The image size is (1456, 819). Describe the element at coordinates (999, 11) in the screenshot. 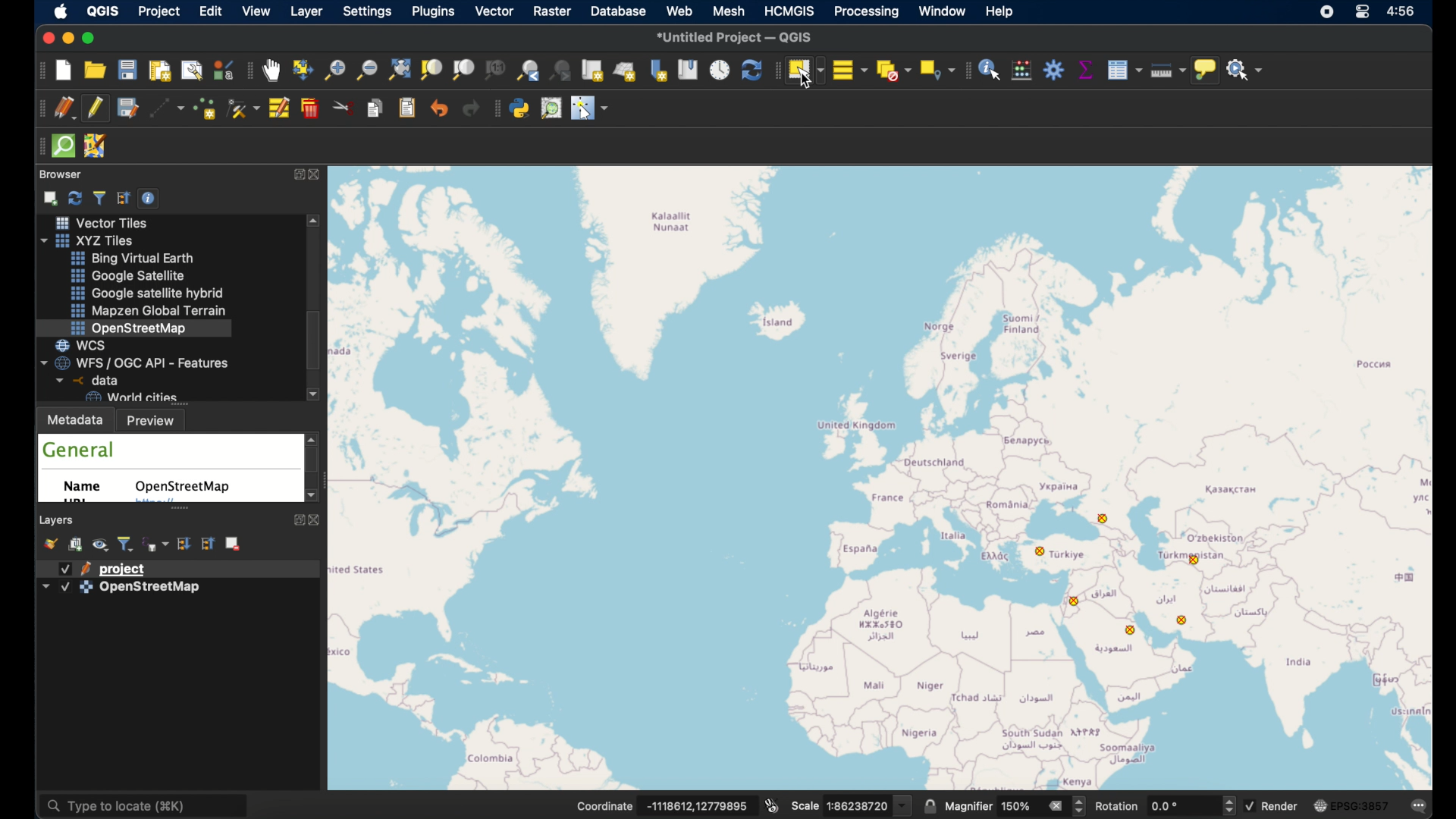

I see `help` at that location.